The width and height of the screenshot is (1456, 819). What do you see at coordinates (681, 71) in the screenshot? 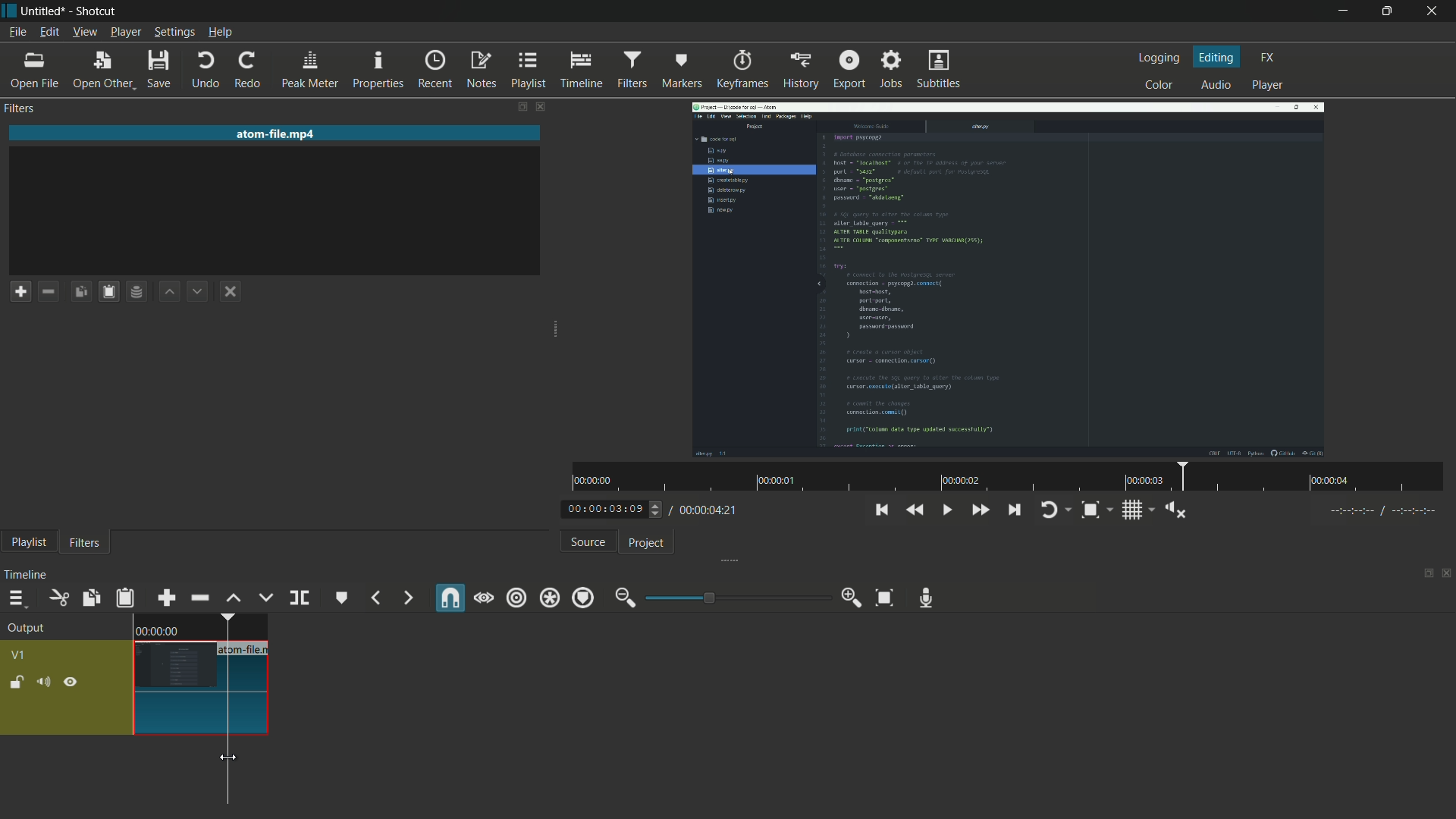
I see `markers` at bounding box center [681, 71].